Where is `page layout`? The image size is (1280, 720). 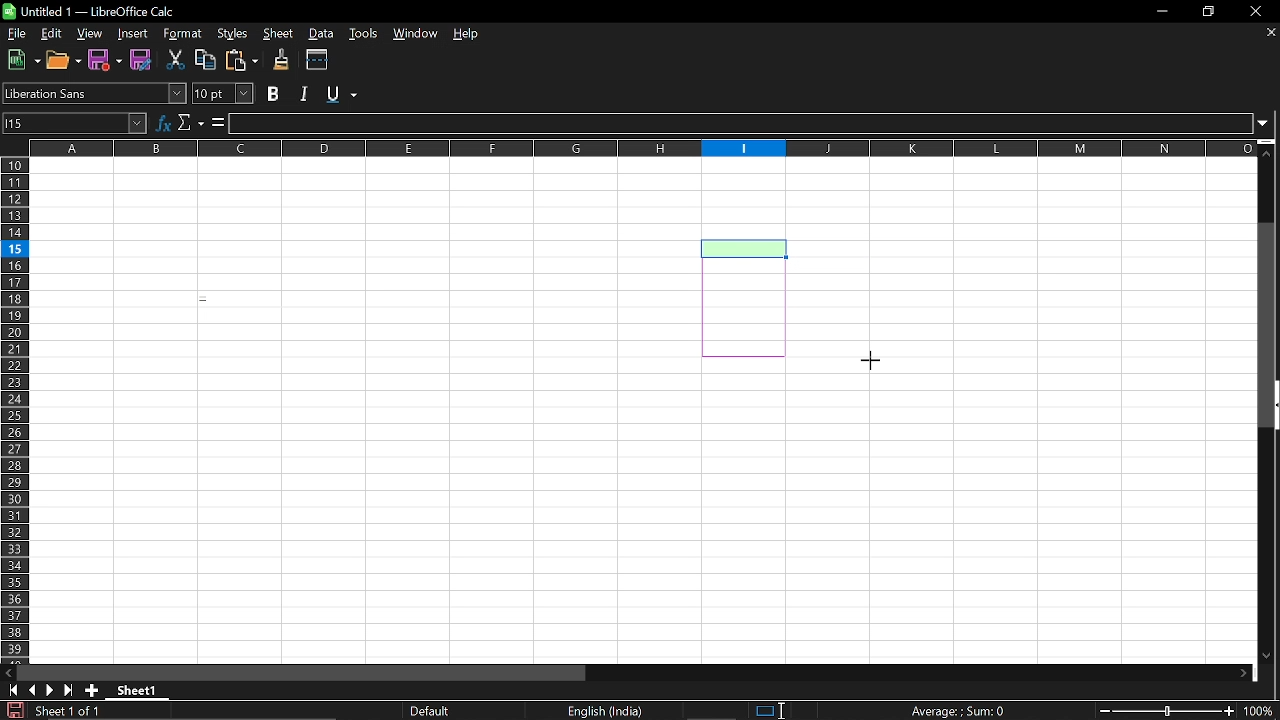 page layout is located at coordinates (432, 710).